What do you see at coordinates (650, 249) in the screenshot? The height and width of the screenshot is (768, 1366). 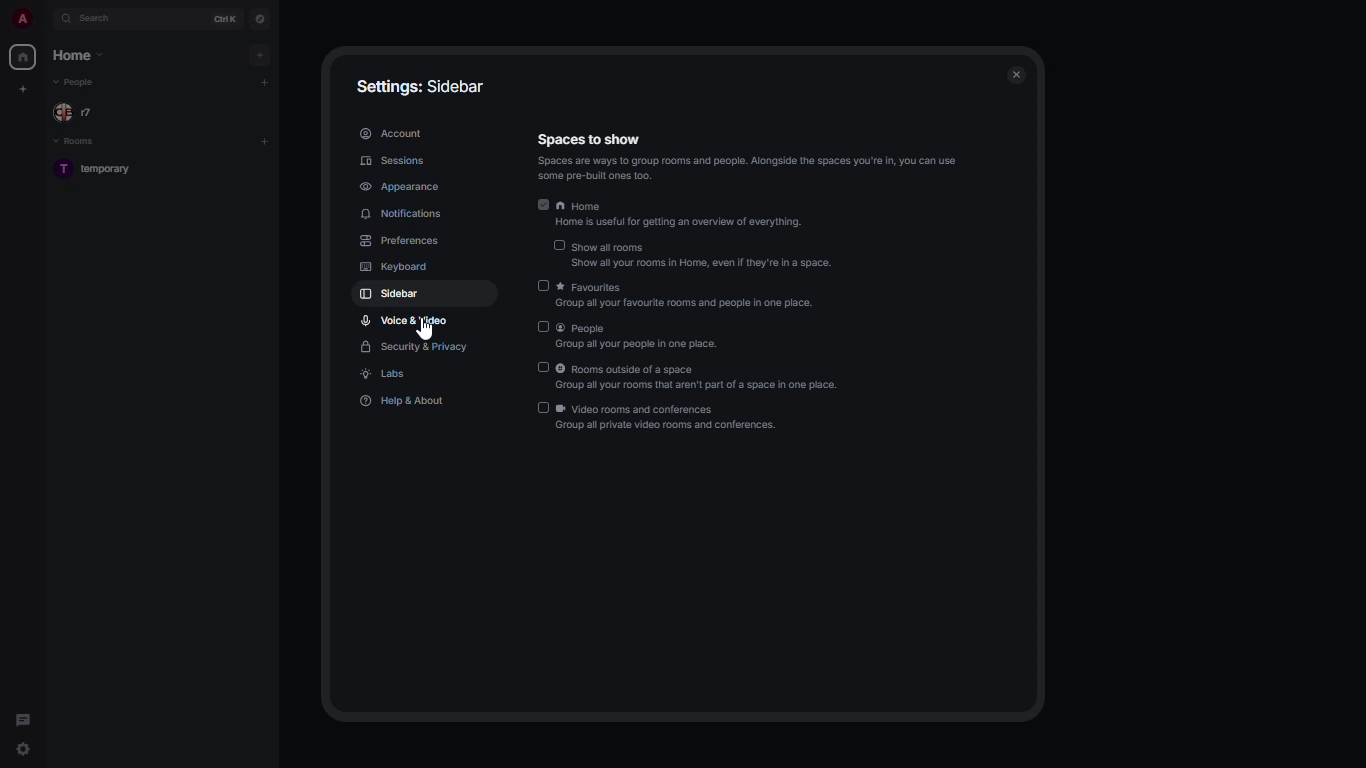 I see `show all rooms` at bounding box center [650, 249].